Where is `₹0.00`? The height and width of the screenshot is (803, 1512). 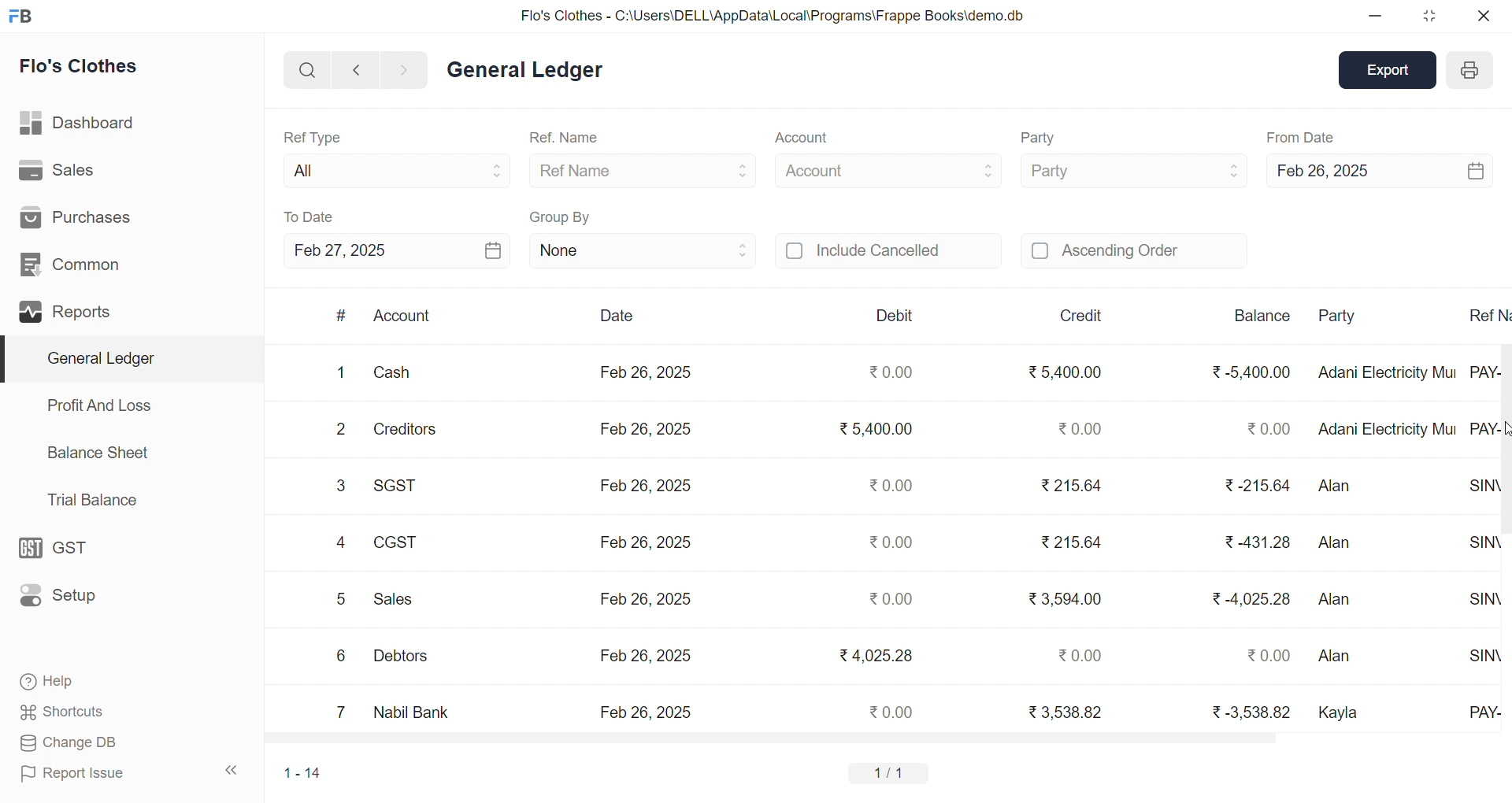 ₹0.00 is located at coordinates (892, 711).